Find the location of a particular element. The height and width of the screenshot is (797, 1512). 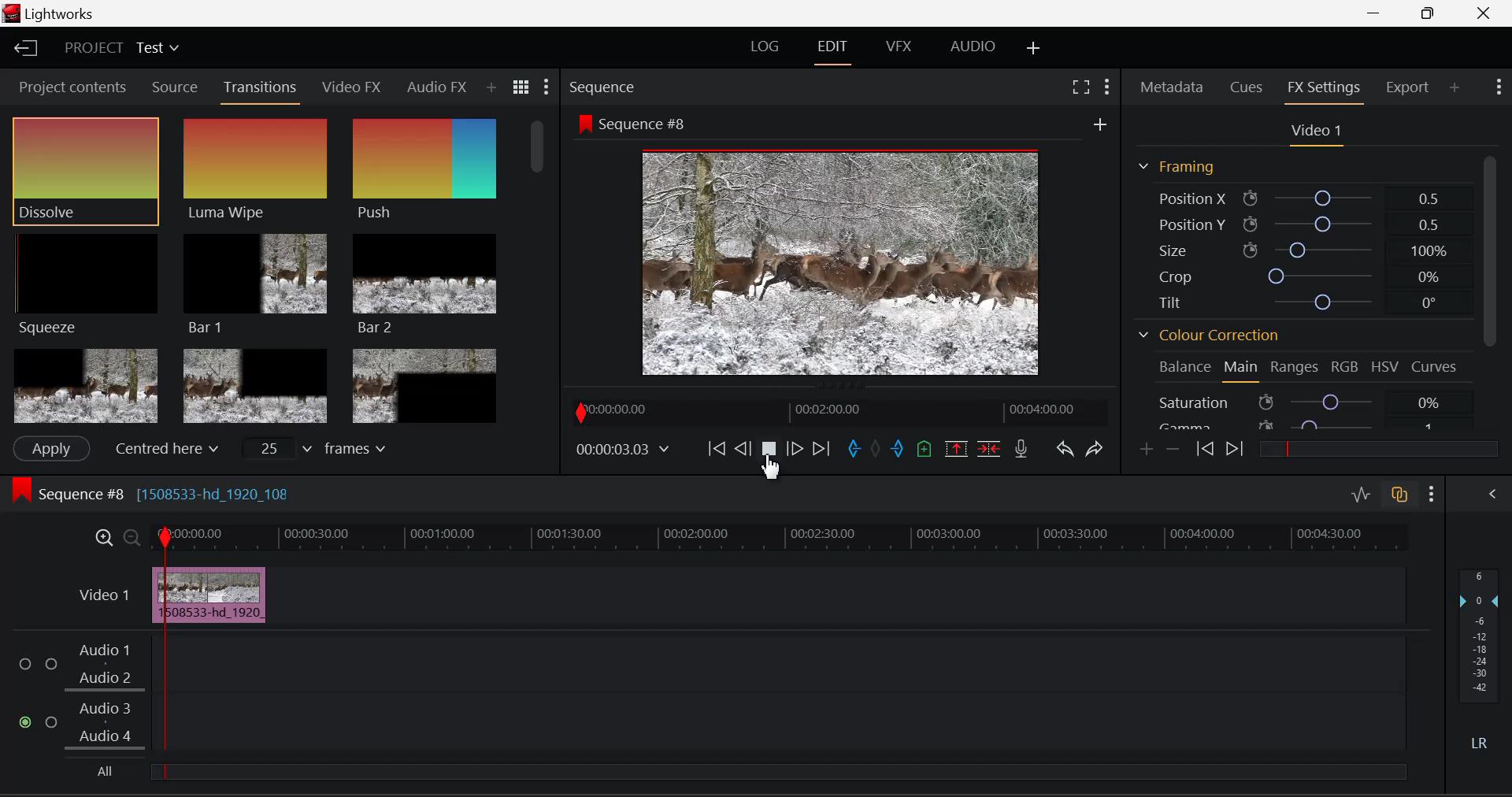

Tilt is located at coordinates (1295, 301).